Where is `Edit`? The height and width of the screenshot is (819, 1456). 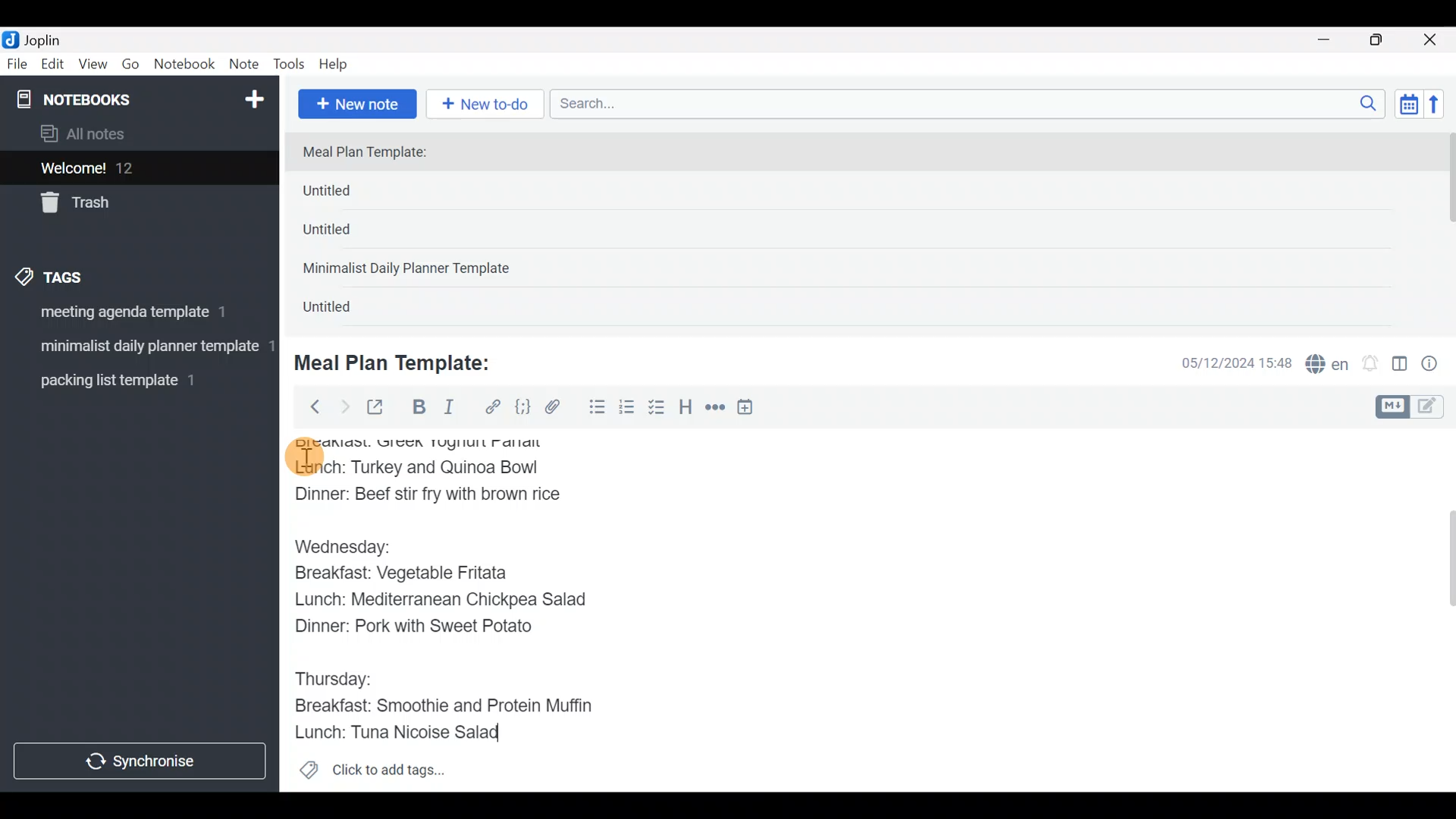 Edit is located at coordinates (53, 67).